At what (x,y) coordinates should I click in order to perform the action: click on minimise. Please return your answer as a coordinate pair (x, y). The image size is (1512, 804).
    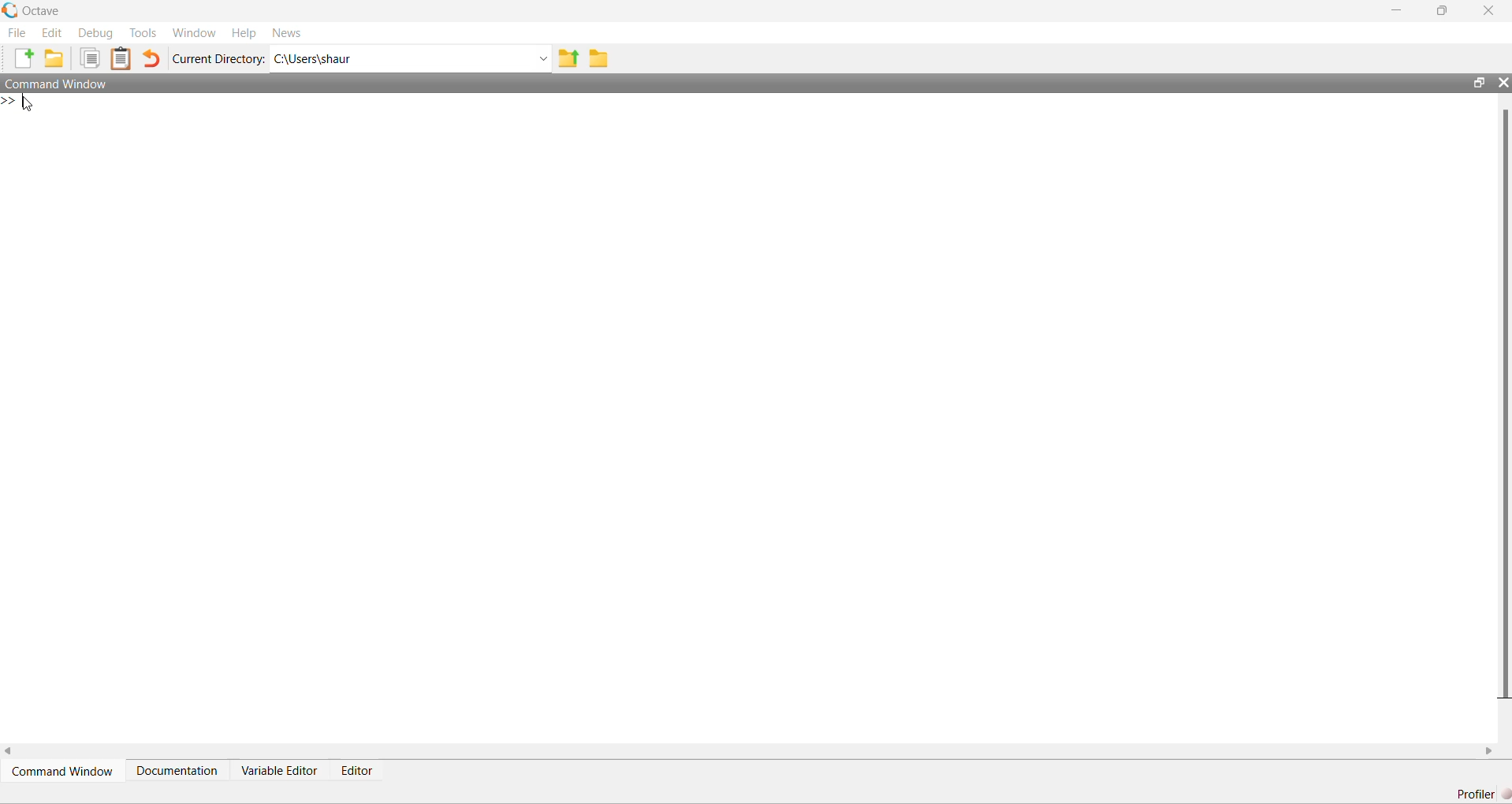
    Looking at the image, I should click on (1397, 9).